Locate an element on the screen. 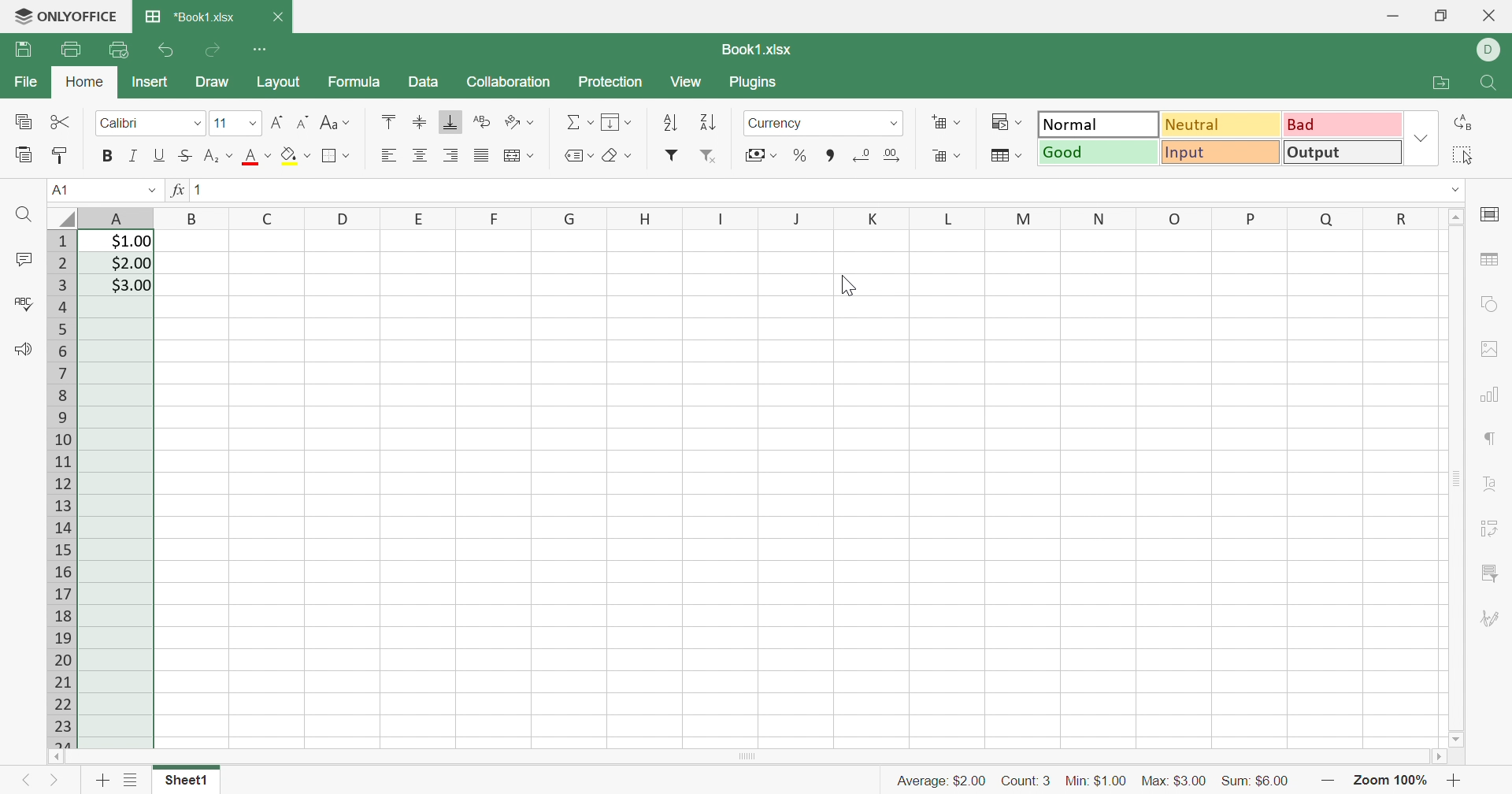  Scroll bar is located at coordinates (1456, 478).